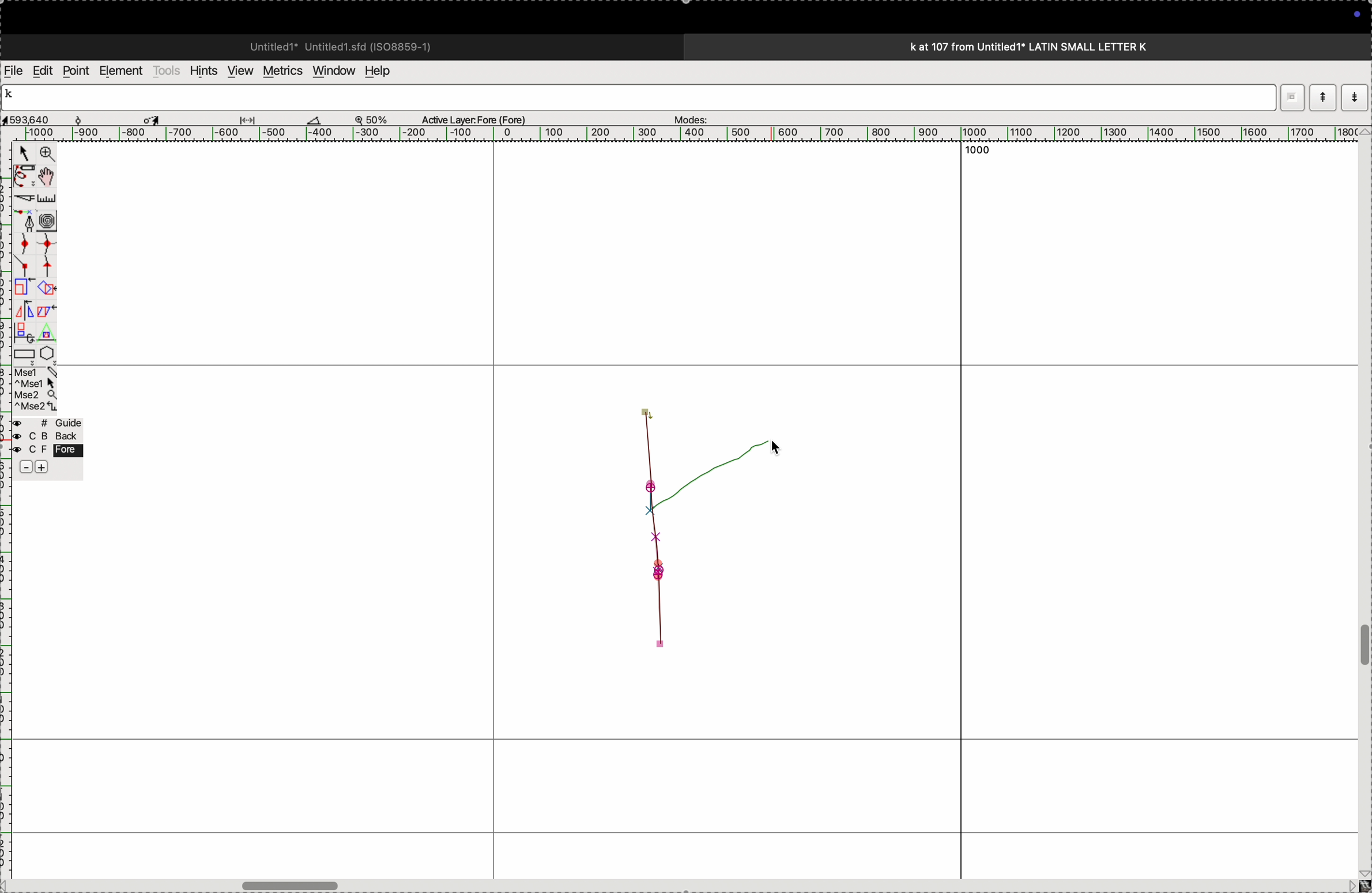 The image size is (1372, 893). Describe the element at coordinates (14, 96) in the screenshot. I see `K` at that location.